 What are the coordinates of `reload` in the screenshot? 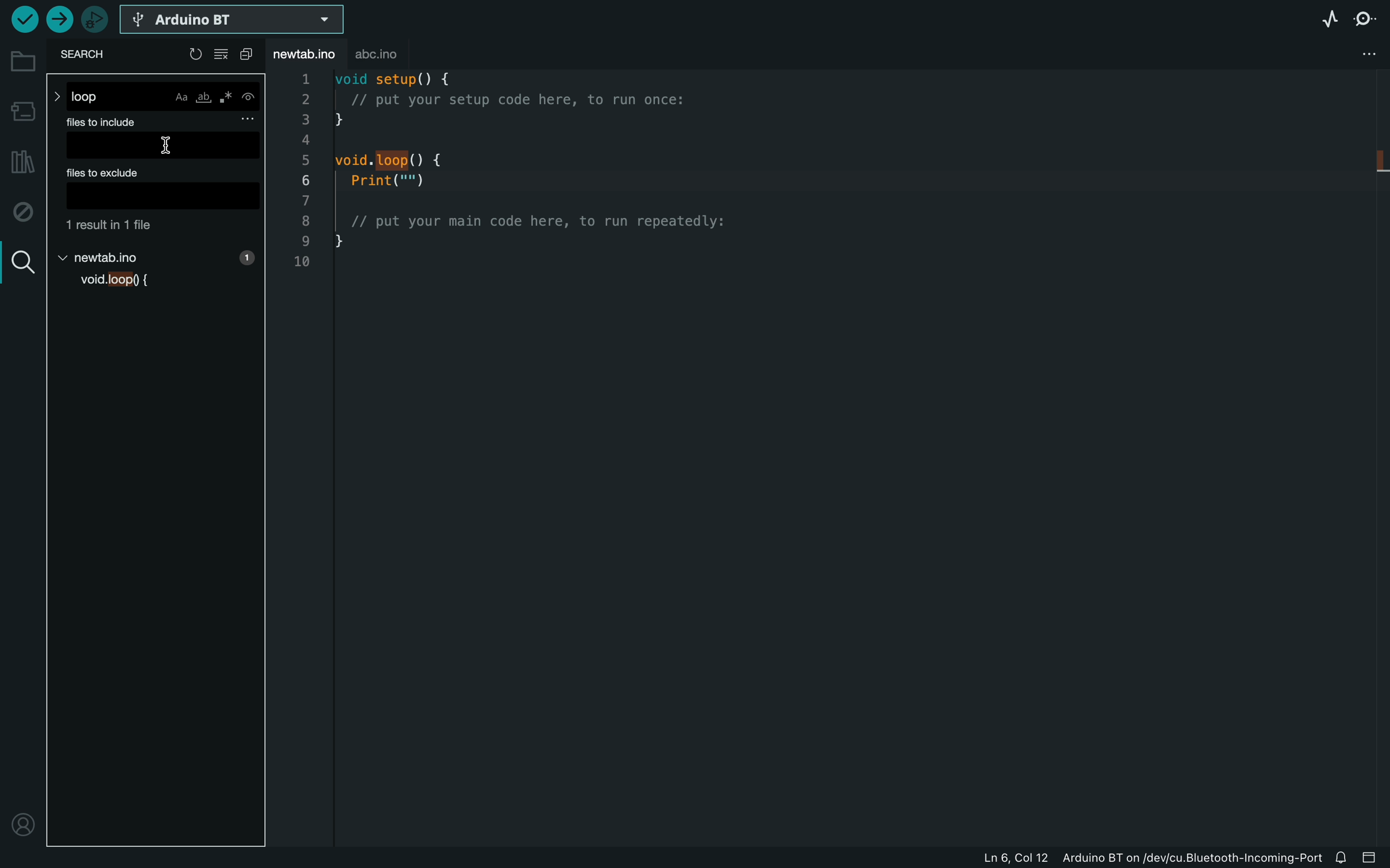 It's located at (196, 54).